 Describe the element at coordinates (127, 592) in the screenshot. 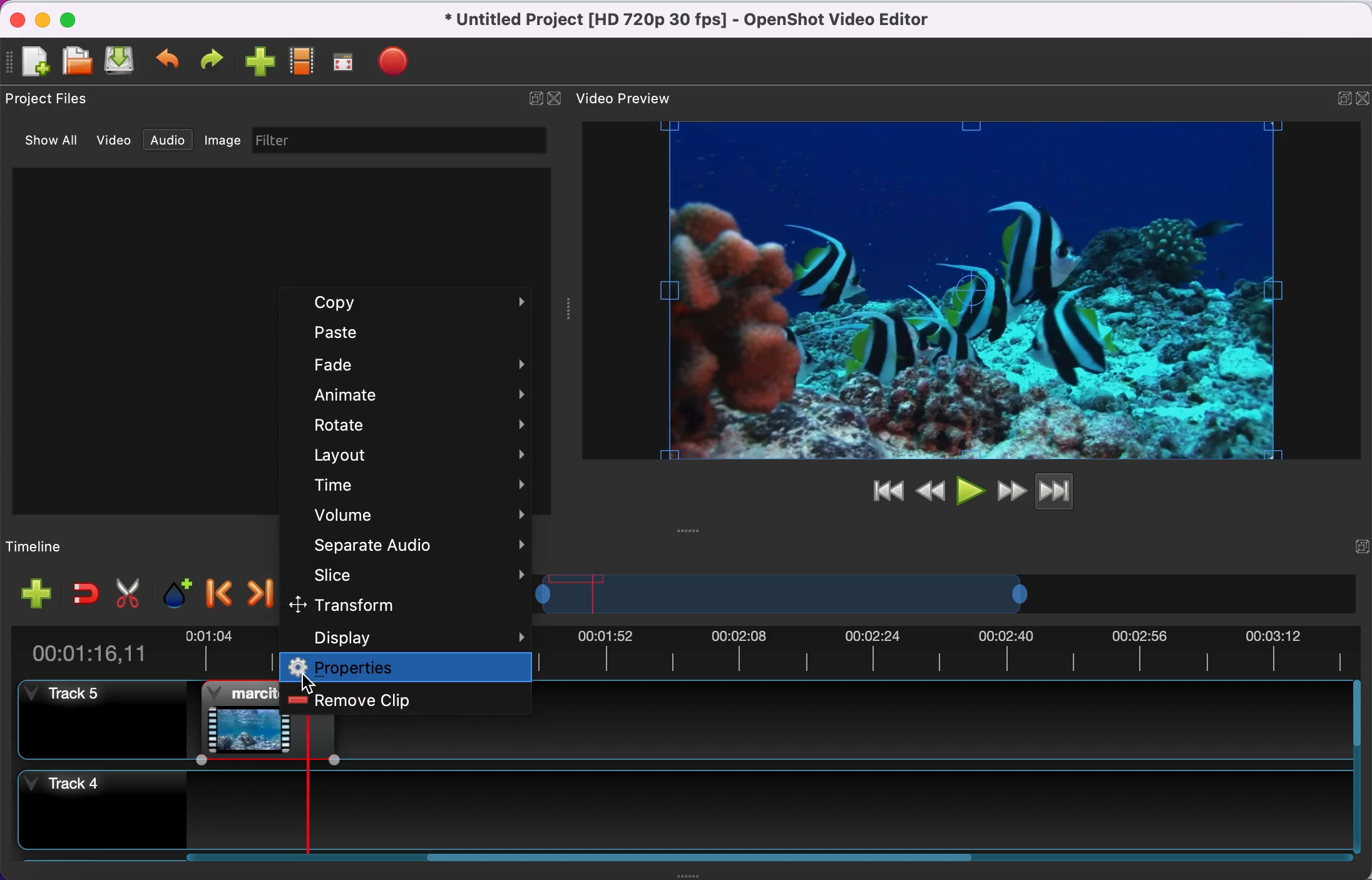

I see `cut` at that location.